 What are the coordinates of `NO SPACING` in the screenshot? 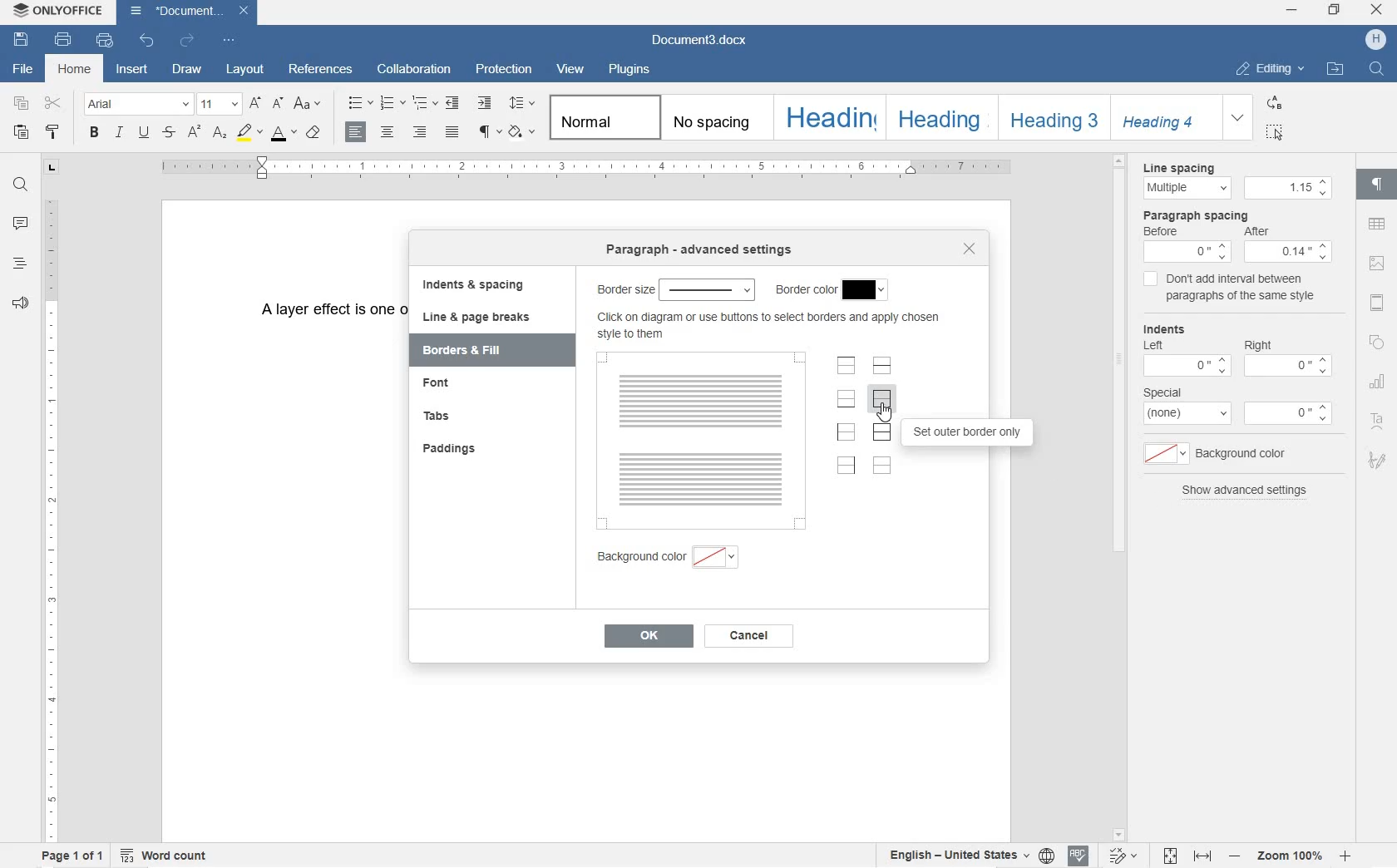 It's located at (714, 118).